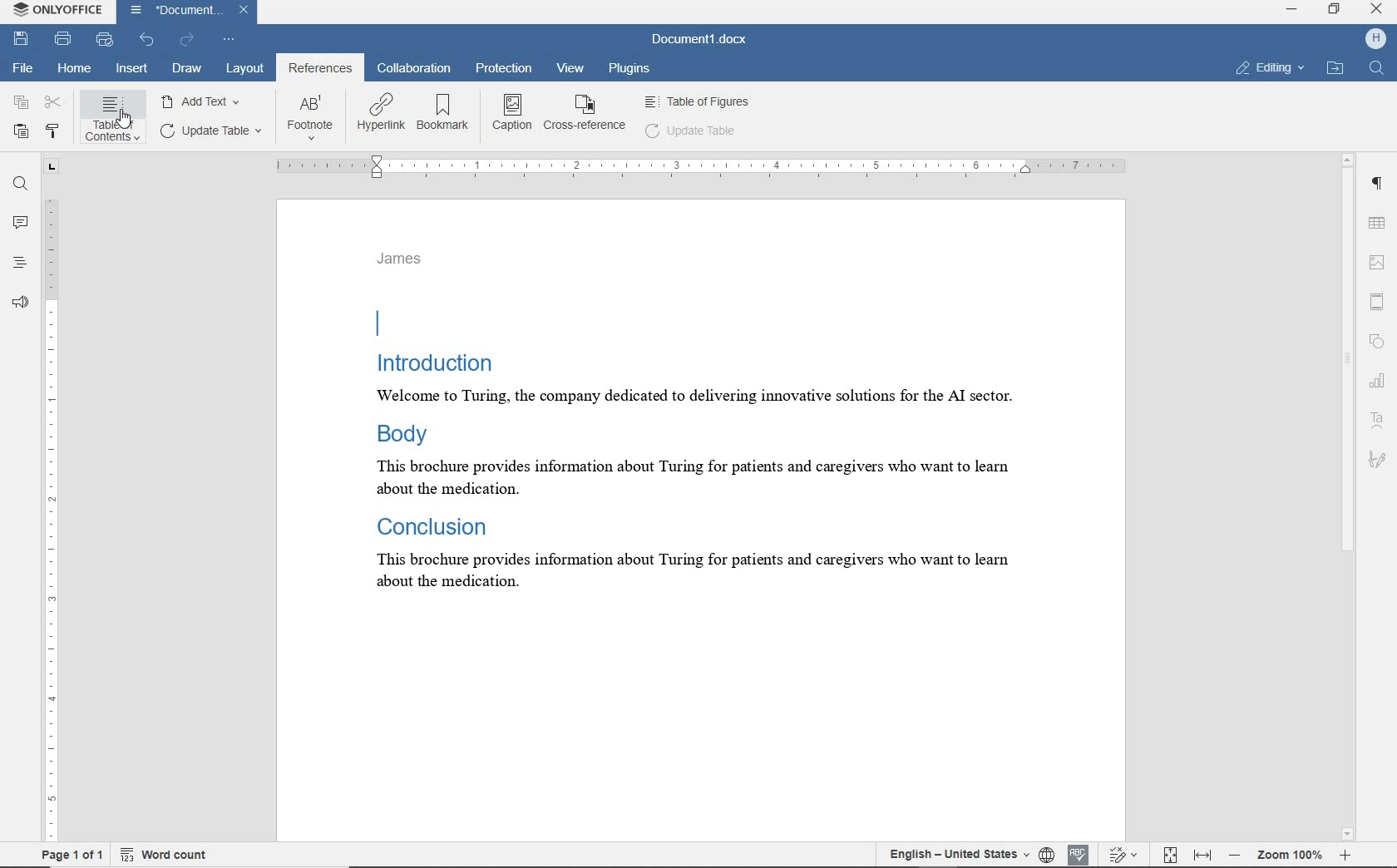 The height and width of the screenshot is (868, 1397). Describe the element at coordinates (1047, 856) in the screenshot. I see `set document language` at that location.